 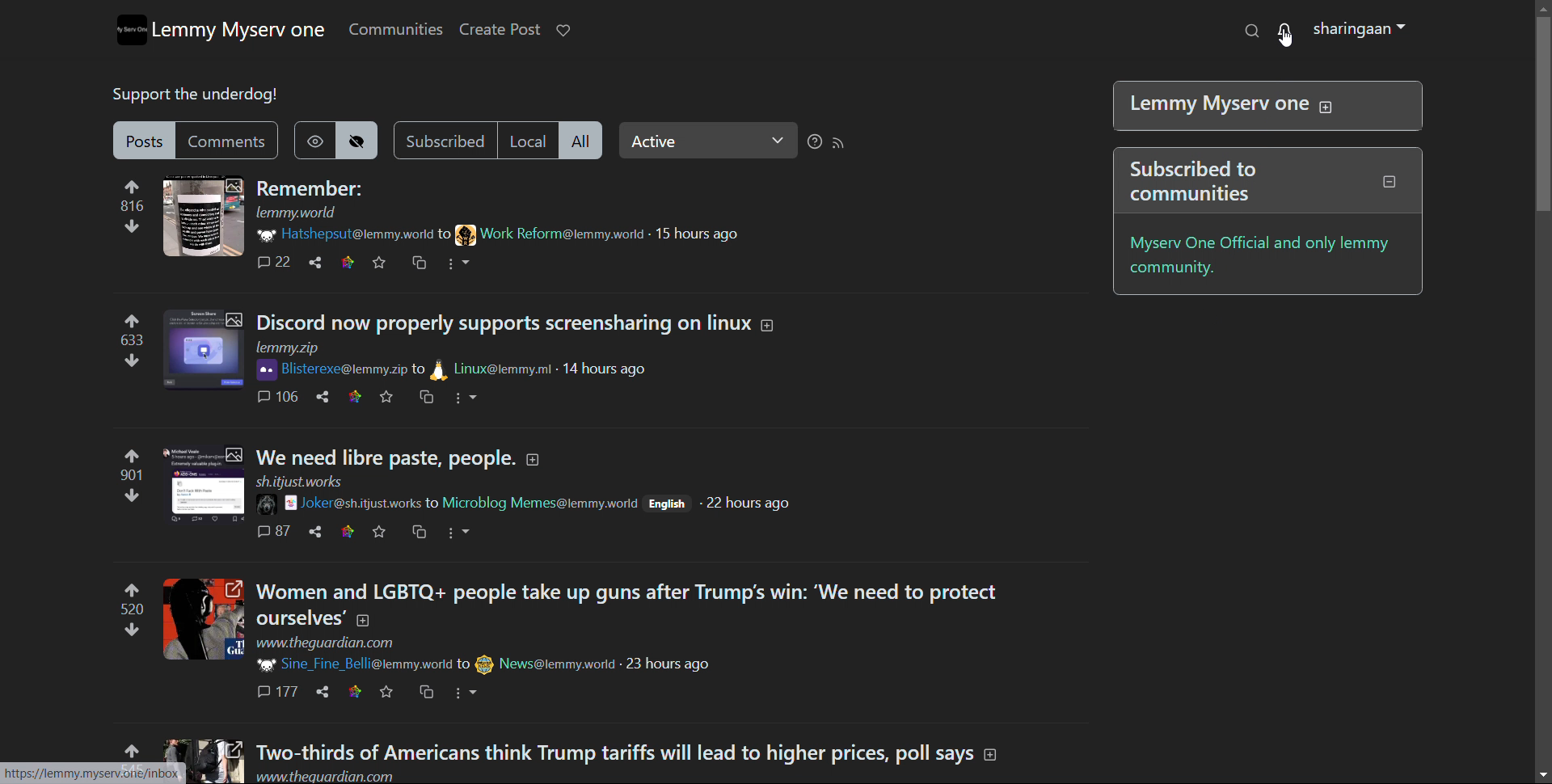 I want to click on posts, so click(x=144, y=140).